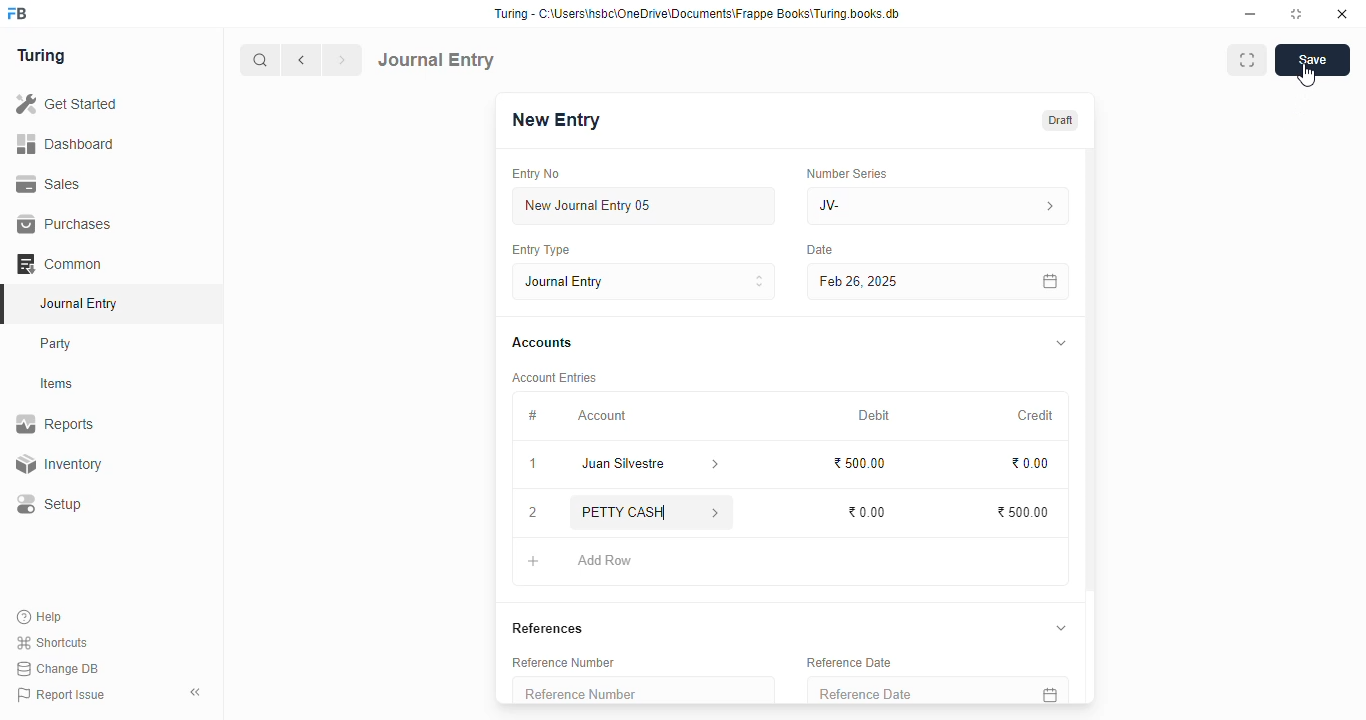 Image resolution: width=1366 pixels, height=720 pixels. Describe the element at coordinates (1246, 60) in the screenshot. I see `toggle between form and full width` at that location.